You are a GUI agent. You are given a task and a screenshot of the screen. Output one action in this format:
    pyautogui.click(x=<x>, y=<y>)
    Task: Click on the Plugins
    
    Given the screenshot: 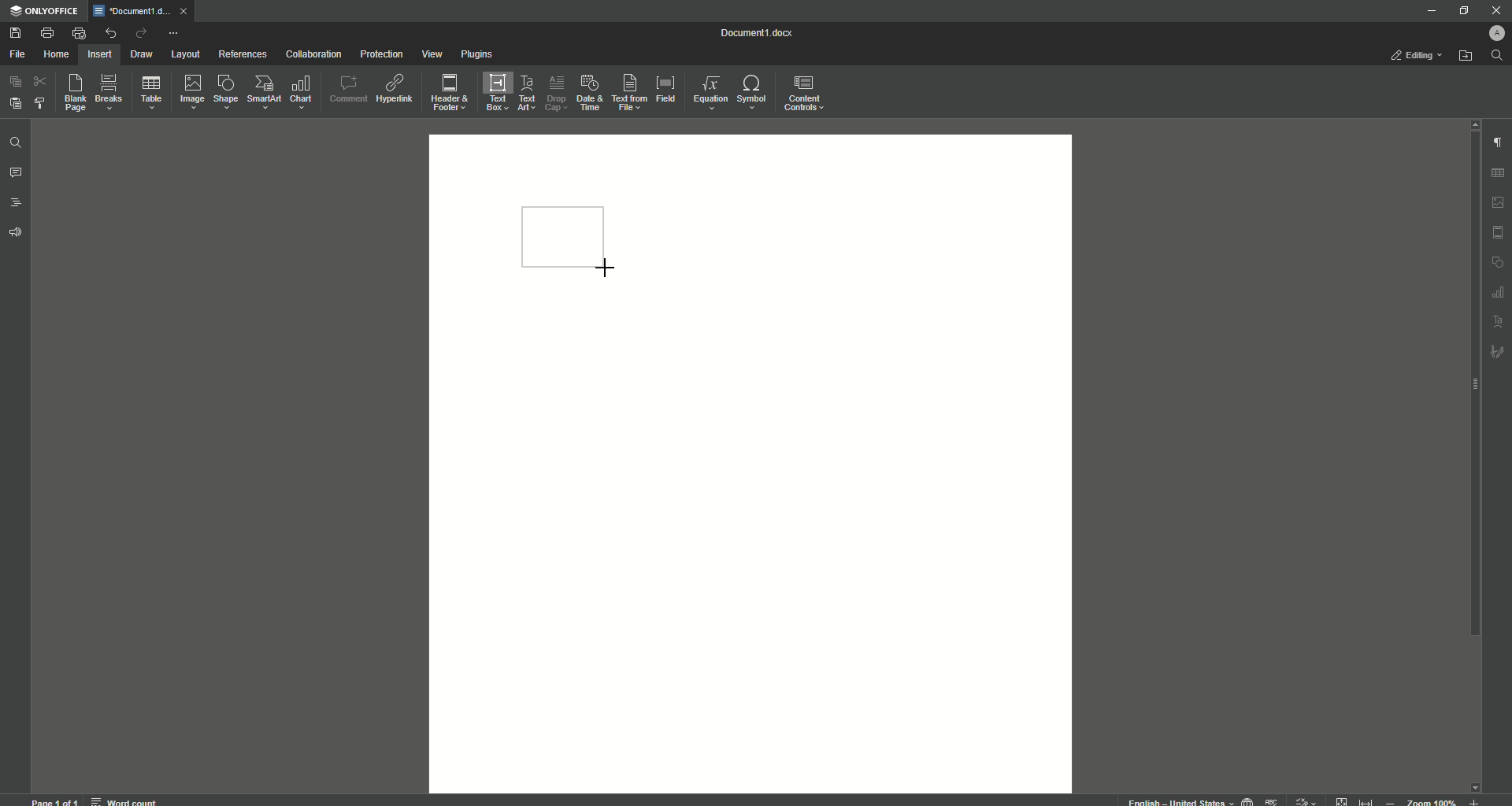 What is the action you would take?
    pyautogui.click(x=478, y=55)
    